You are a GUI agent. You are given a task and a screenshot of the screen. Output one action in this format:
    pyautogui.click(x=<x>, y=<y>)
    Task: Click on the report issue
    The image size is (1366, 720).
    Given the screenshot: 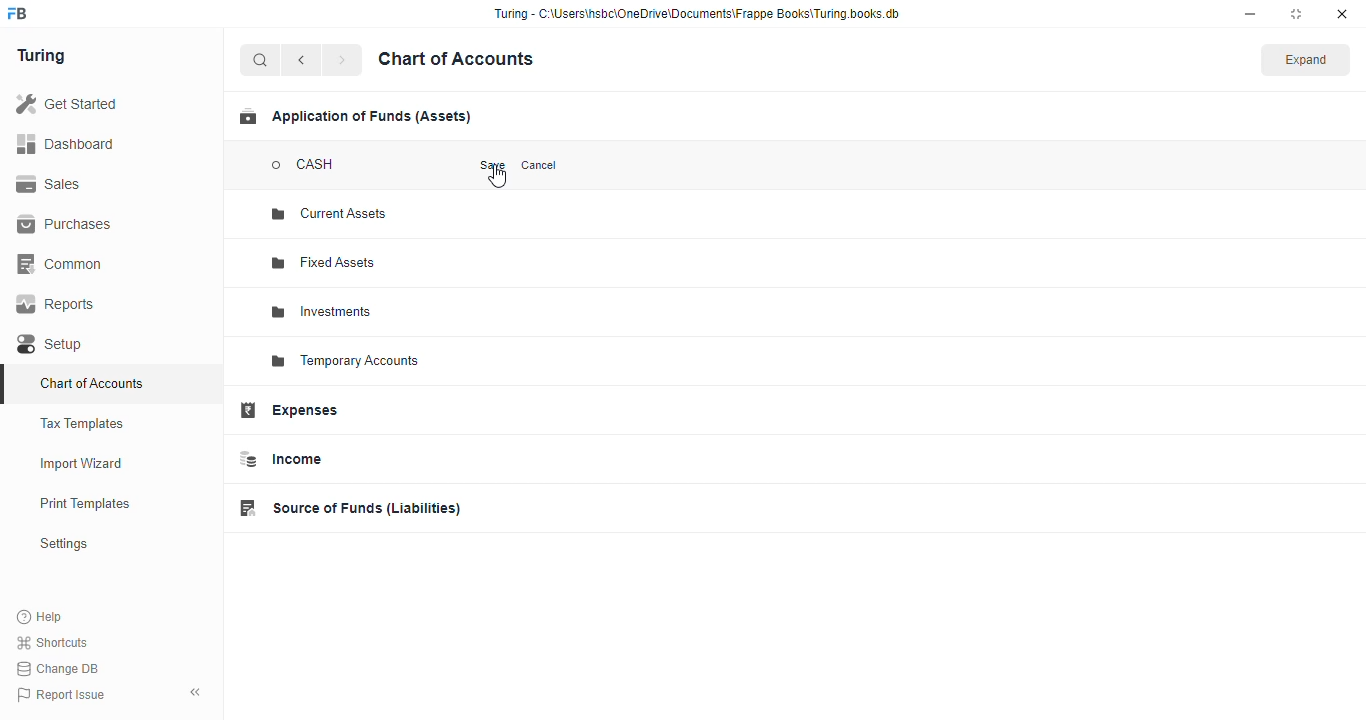 What is the action you would take?
    pyautogui.click(x=60, y=694)
    